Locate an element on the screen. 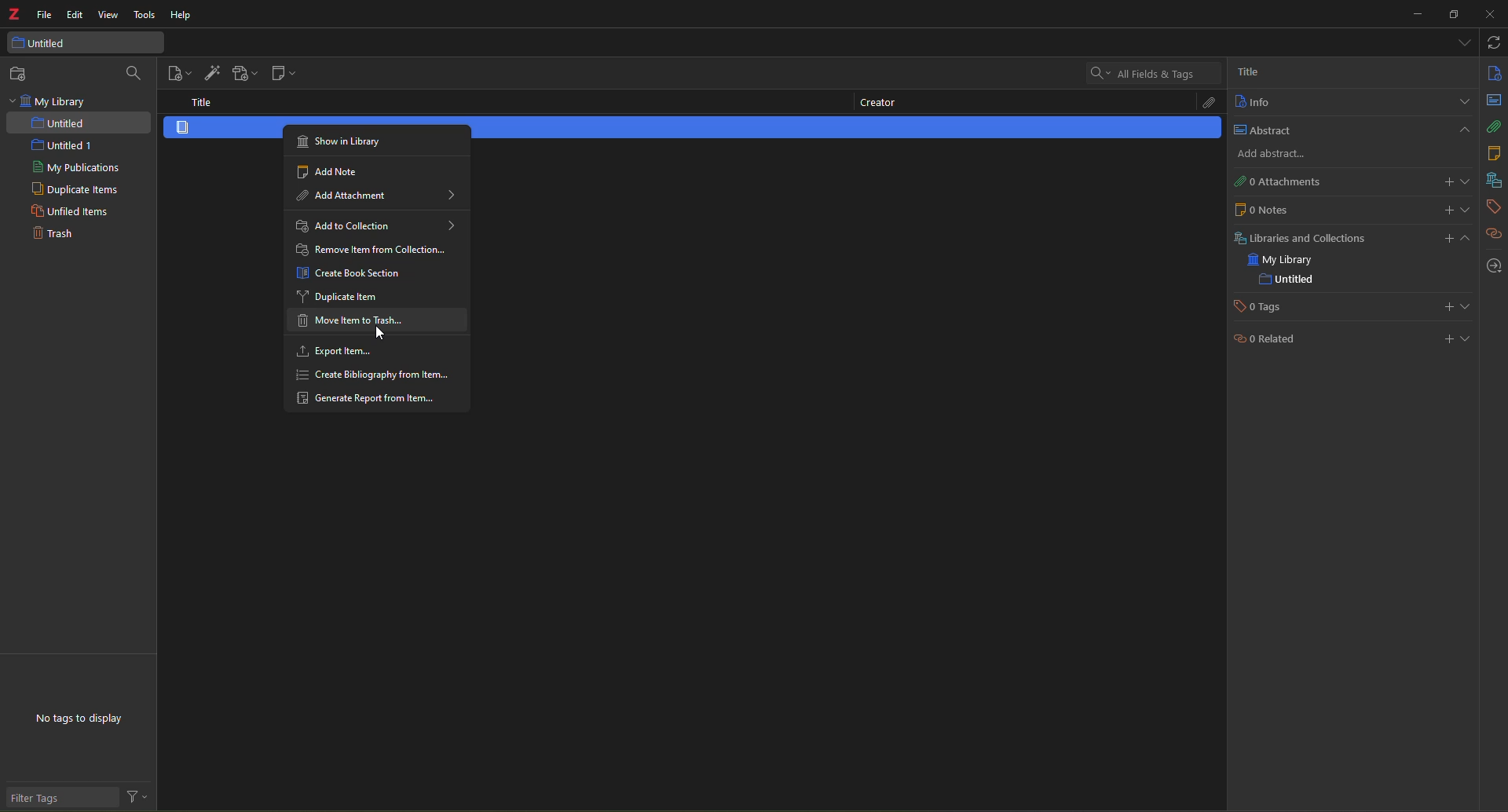  no tags is located at coordinates (91, 722).